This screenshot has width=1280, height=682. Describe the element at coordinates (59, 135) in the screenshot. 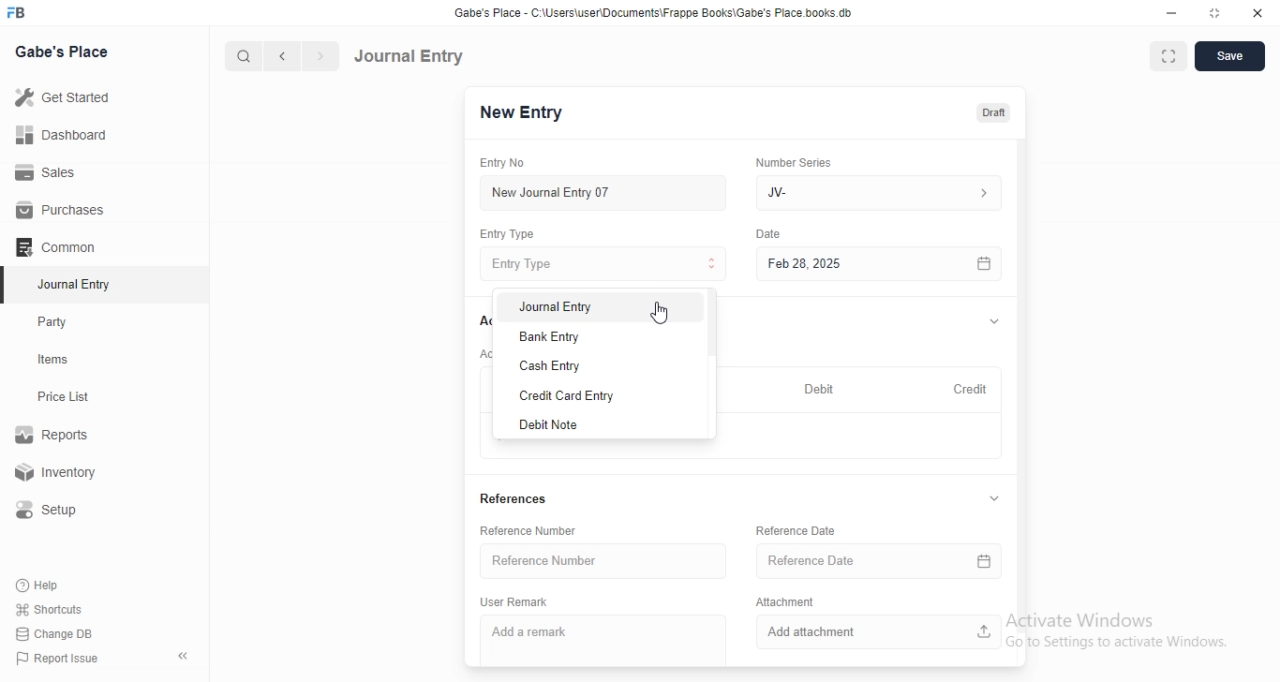

I see `Dashboard` at that location.